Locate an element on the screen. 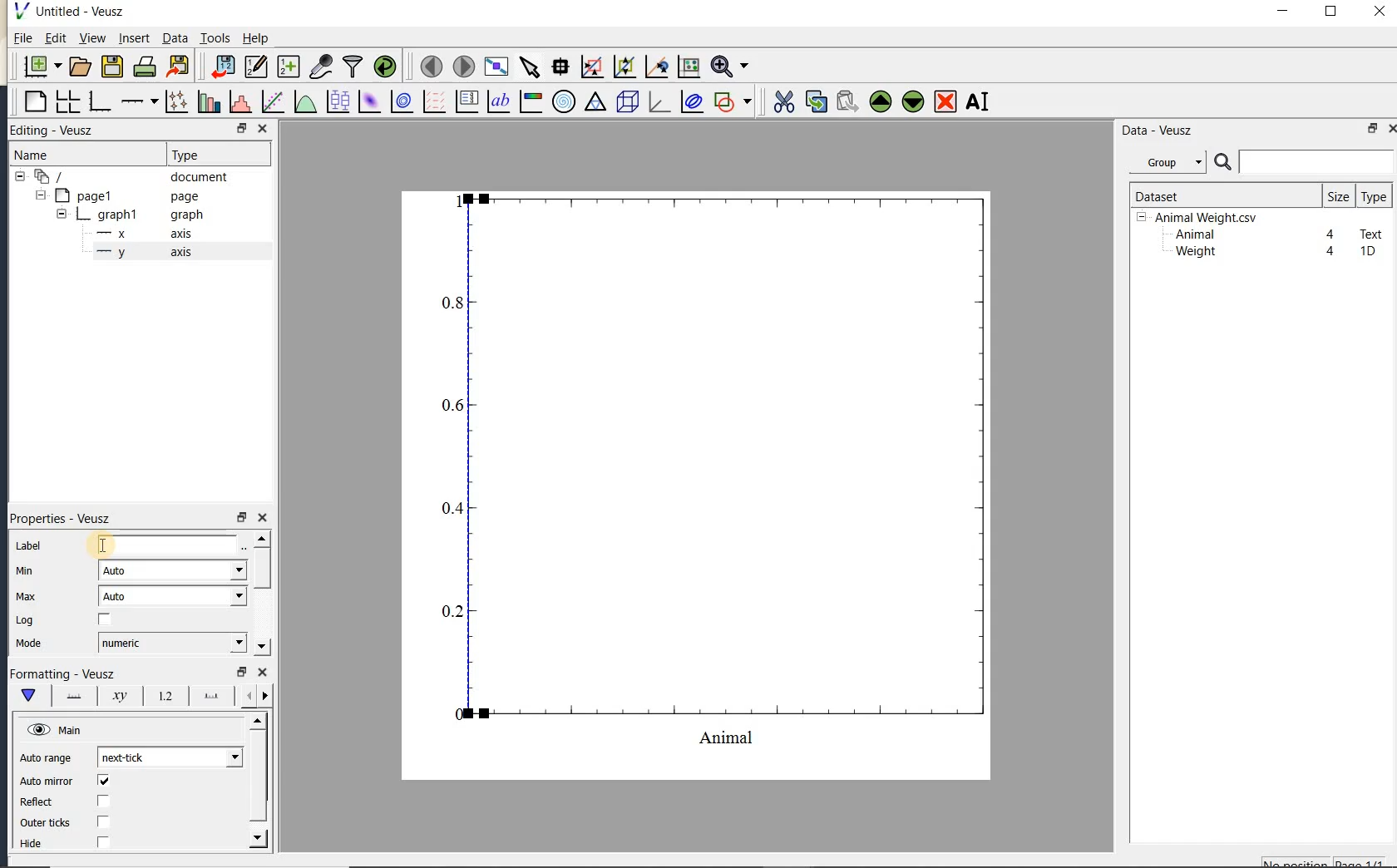 This screenshot has width=1397, height=868. Tools is located at coordinates (216, 37).